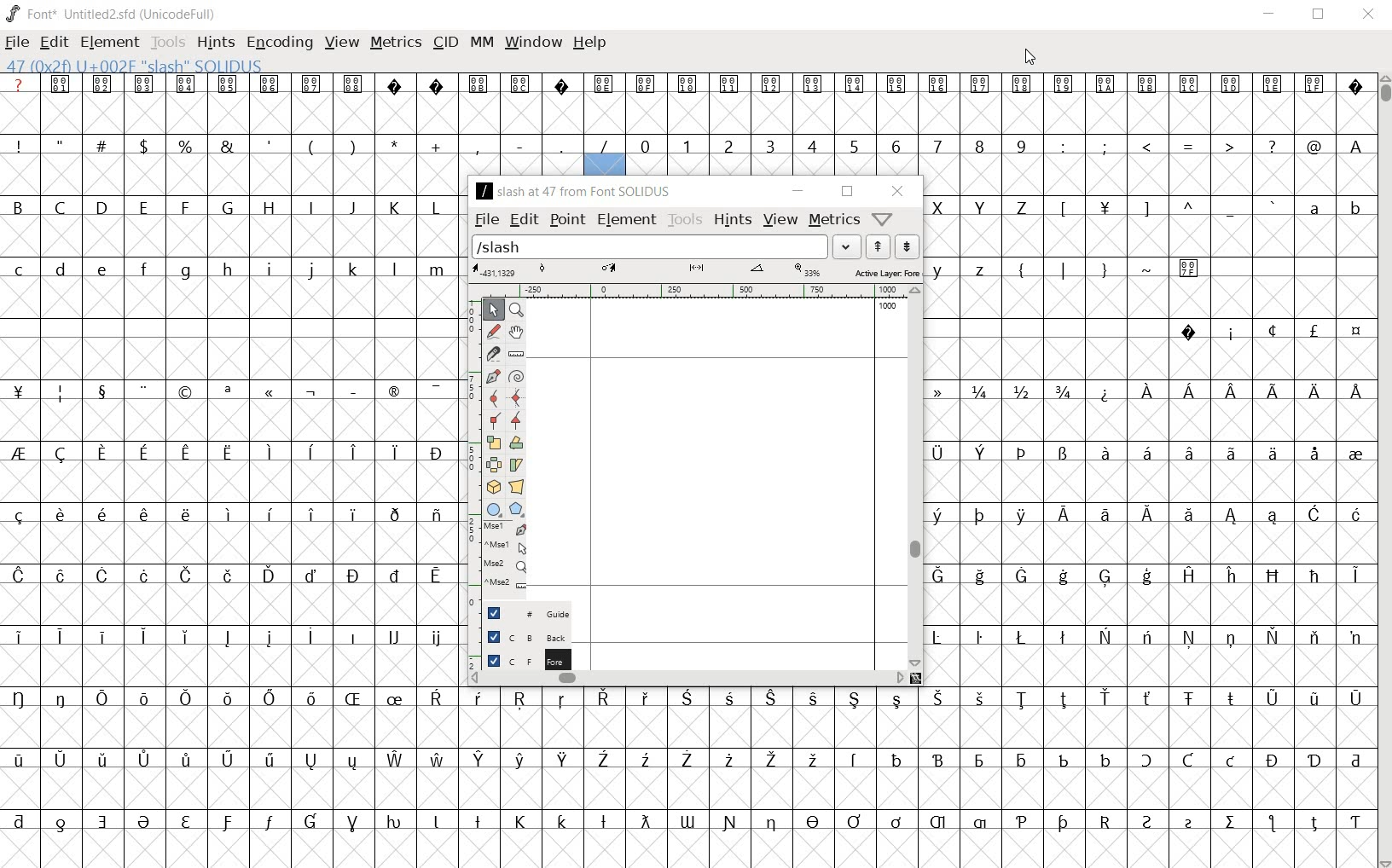 The height and width of the screenshot is (868, 1392). I want to click on empty cells, so click(684, 726).